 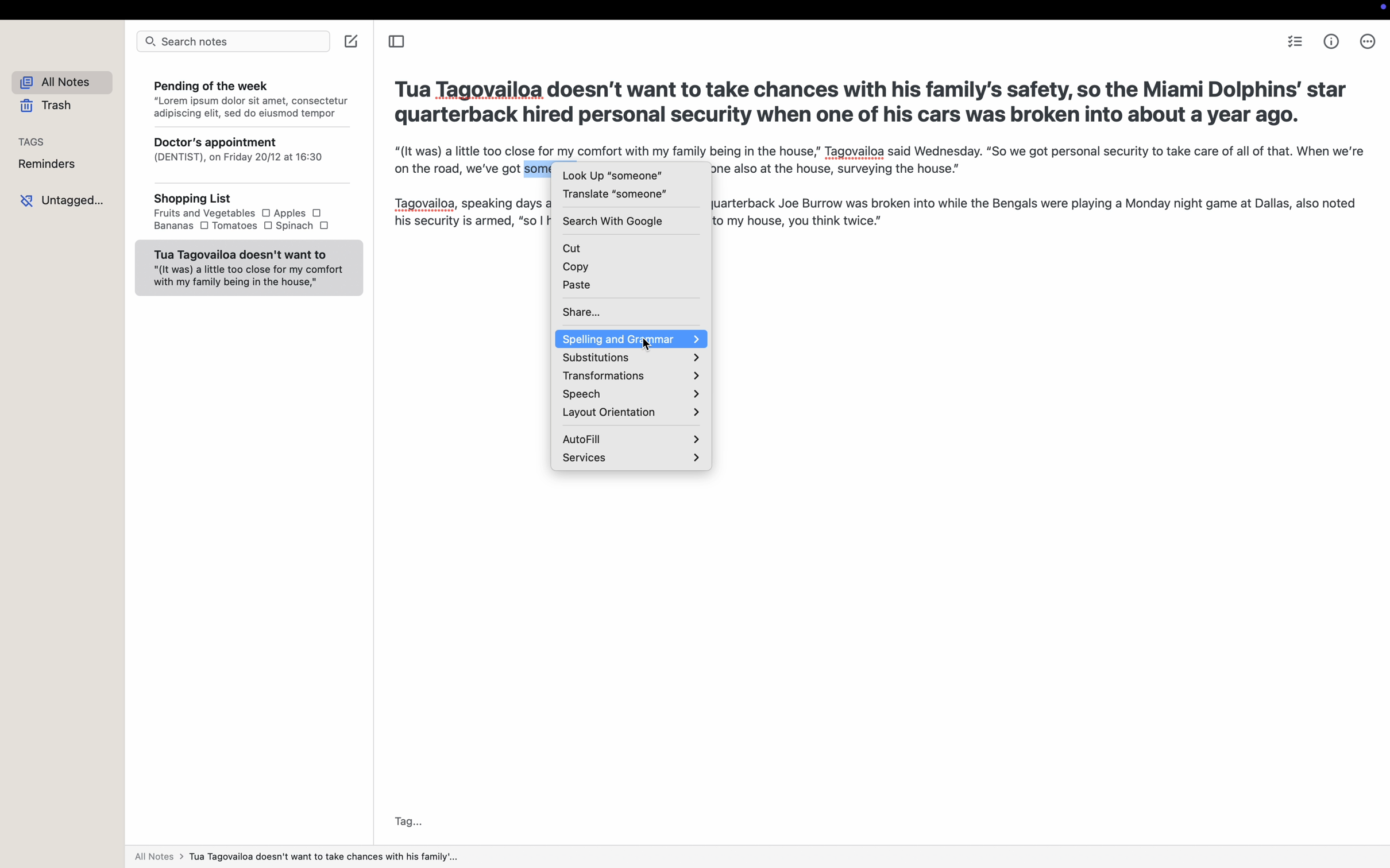 What do you see at coordinates (48, 164) in the screenshot?
I see `reminders` at bounding box center [48, 164].